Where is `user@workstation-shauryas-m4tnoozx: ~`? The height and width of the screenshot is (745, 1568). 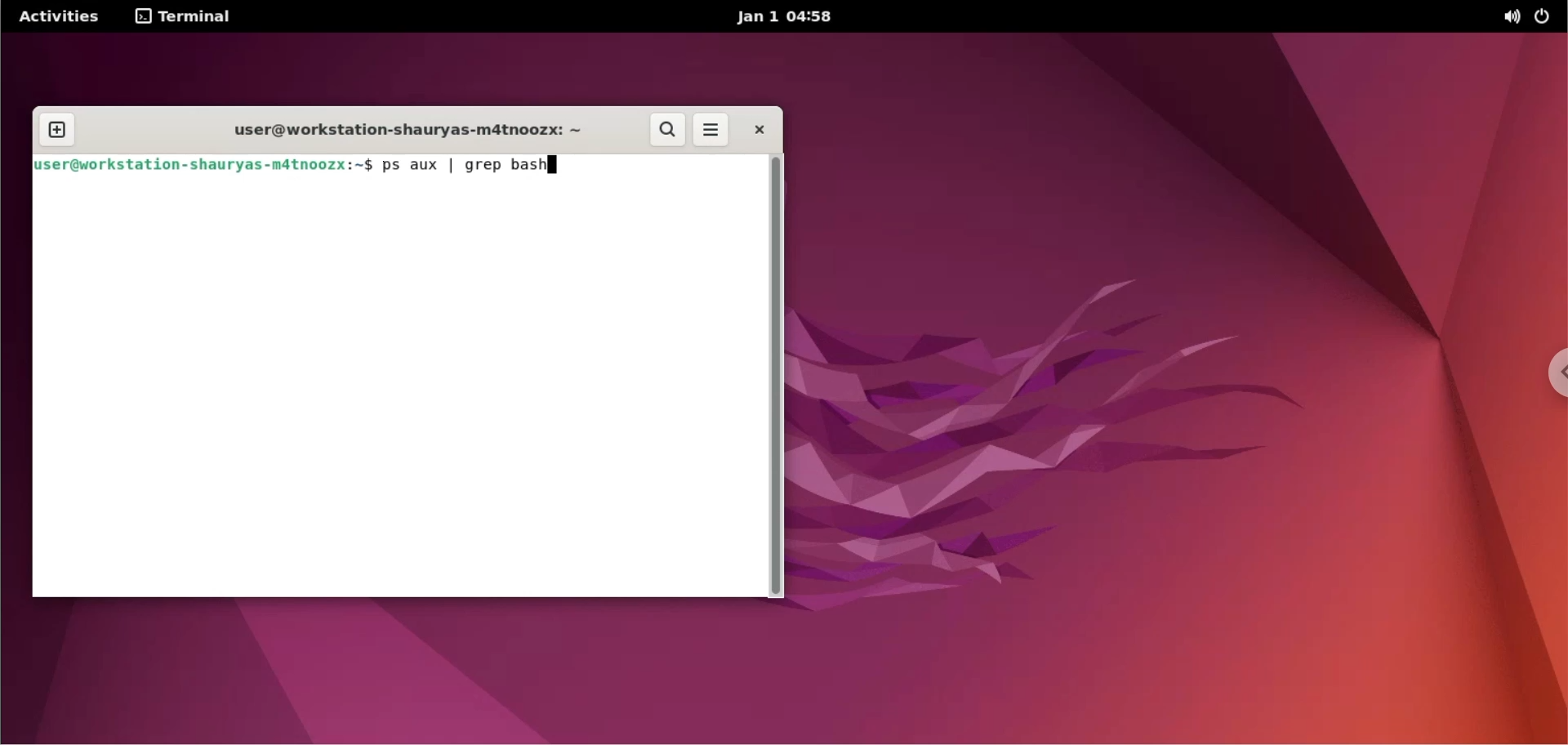 user@workstation-shauryas-m4tnoozx: ~ is located at coordinates (400, 128).